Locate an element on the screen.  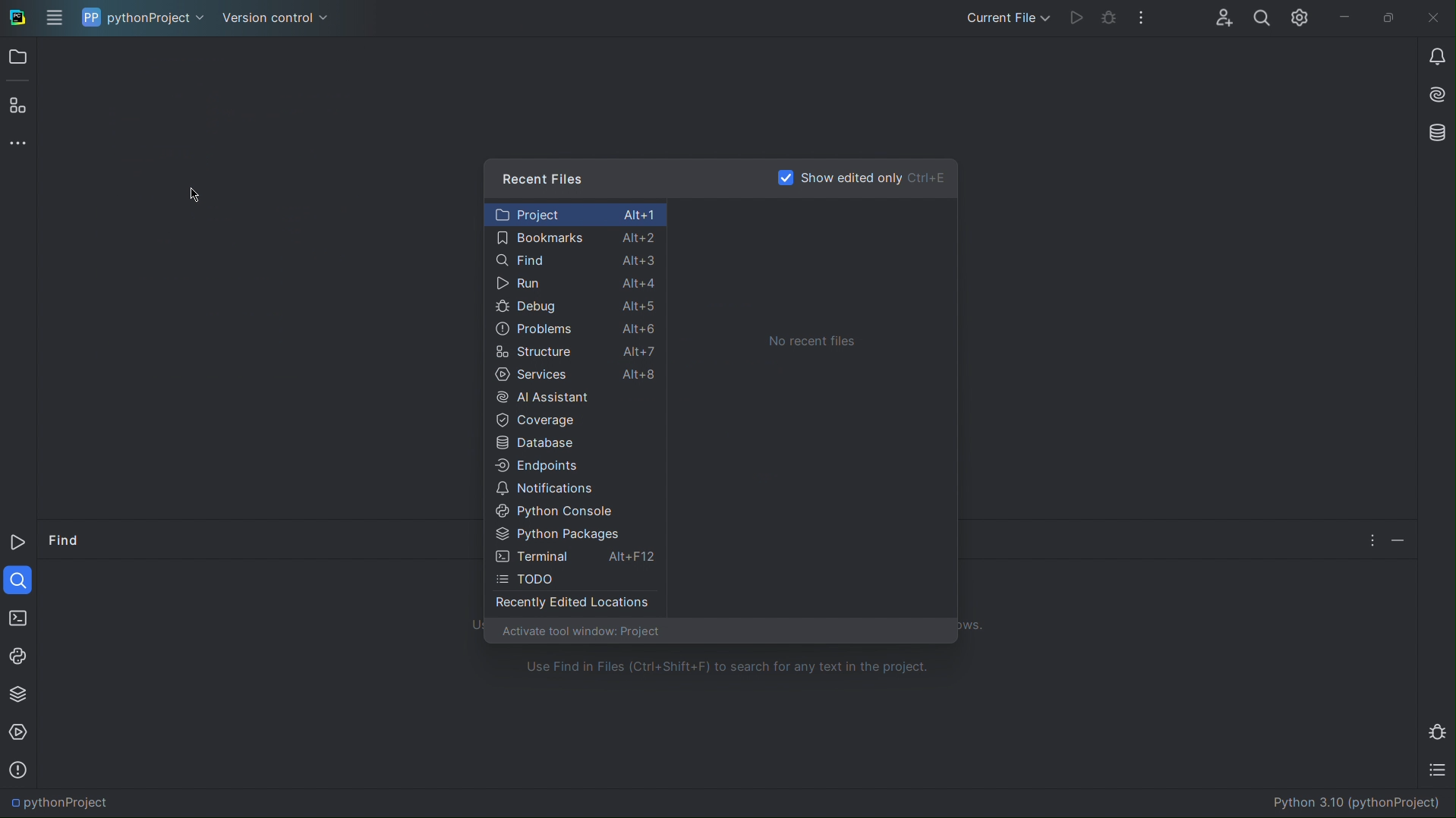
Databases is located at coordinates (1434, 134).